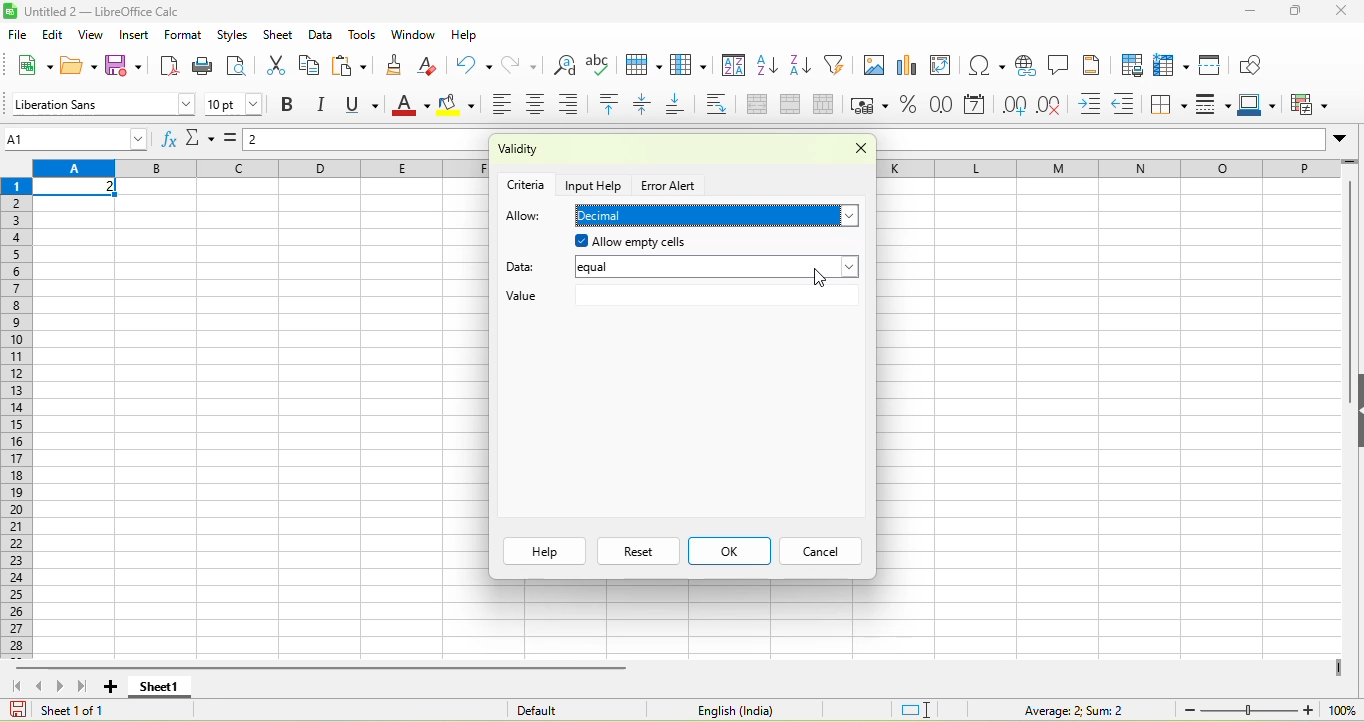 Image resolution: width=1364 pixels, height=722 pixels. Describe the element at coordinates (526, 64) in the screenshot. I see `redo` at that location.